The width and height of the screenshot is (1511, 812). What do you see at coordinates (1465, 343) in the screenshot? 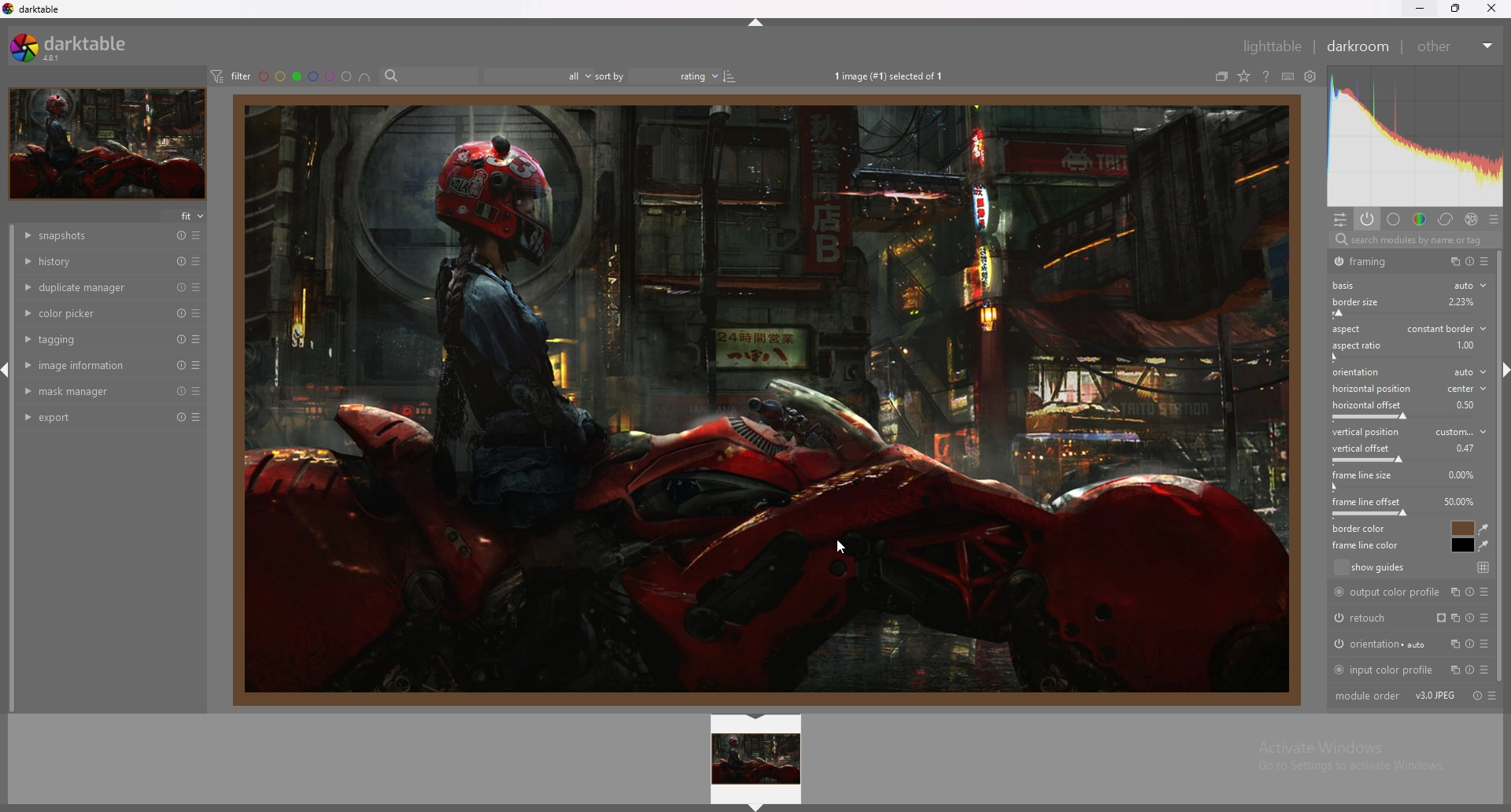
I see `percentage` at bounding box center [1465, 343].